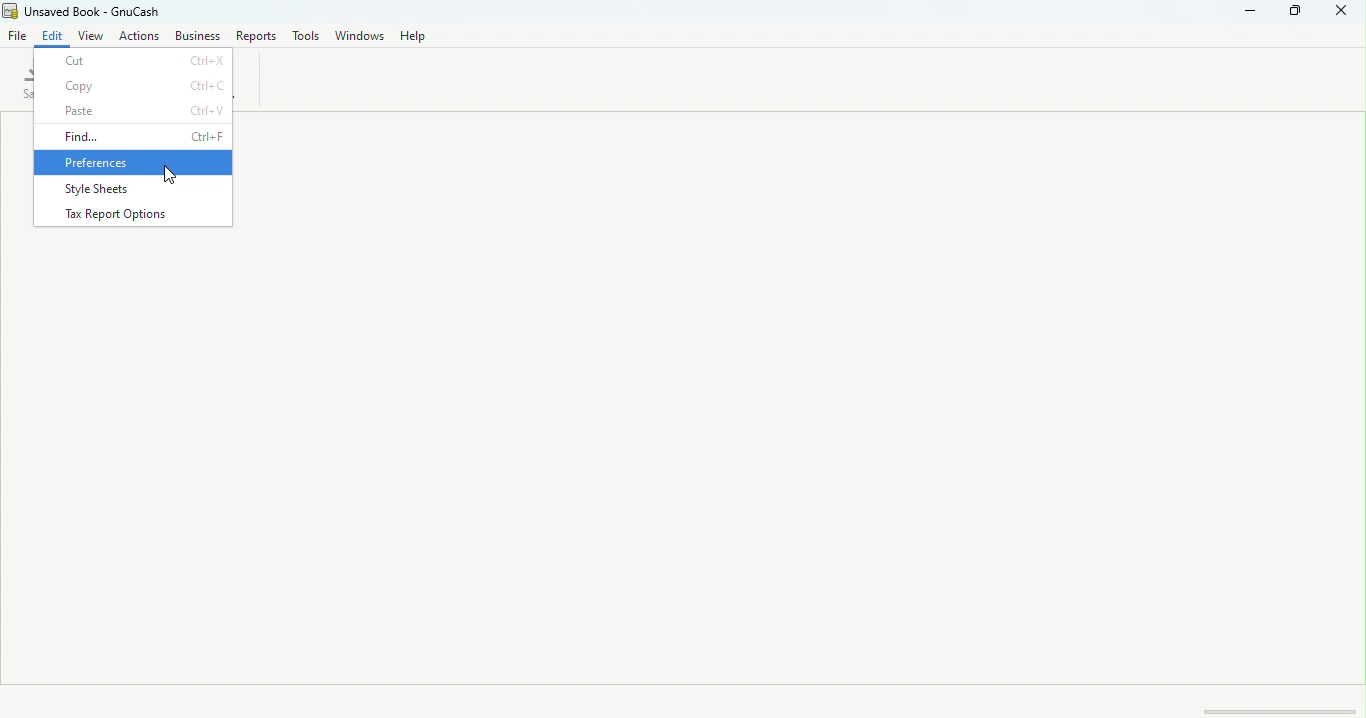  What do you see at coordinates (1346, 14) in the screenshot?
I see `Close` at bounding box center [1346, 14].